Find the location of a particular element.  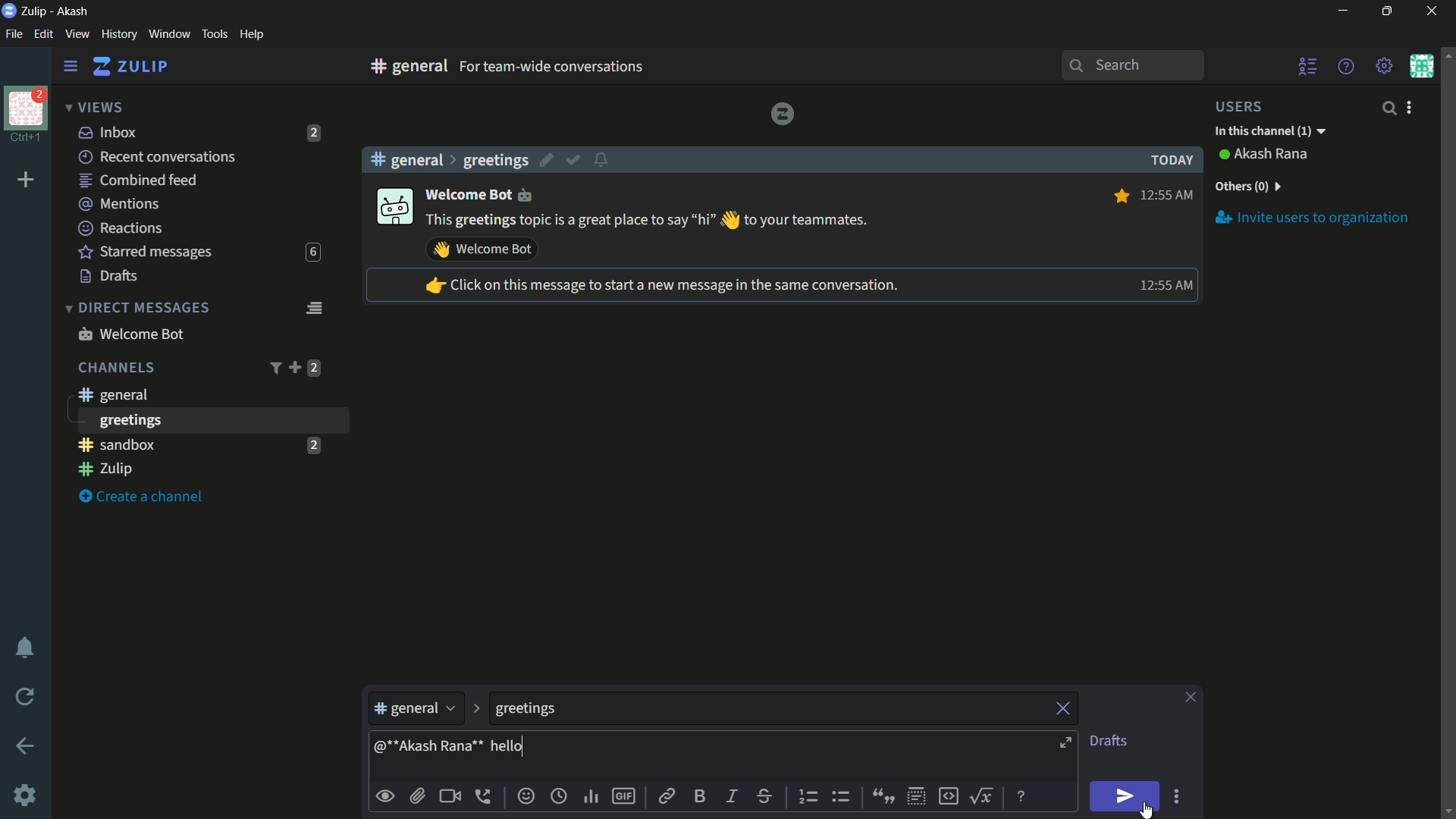

general channel is located at coordinates (111, 394).